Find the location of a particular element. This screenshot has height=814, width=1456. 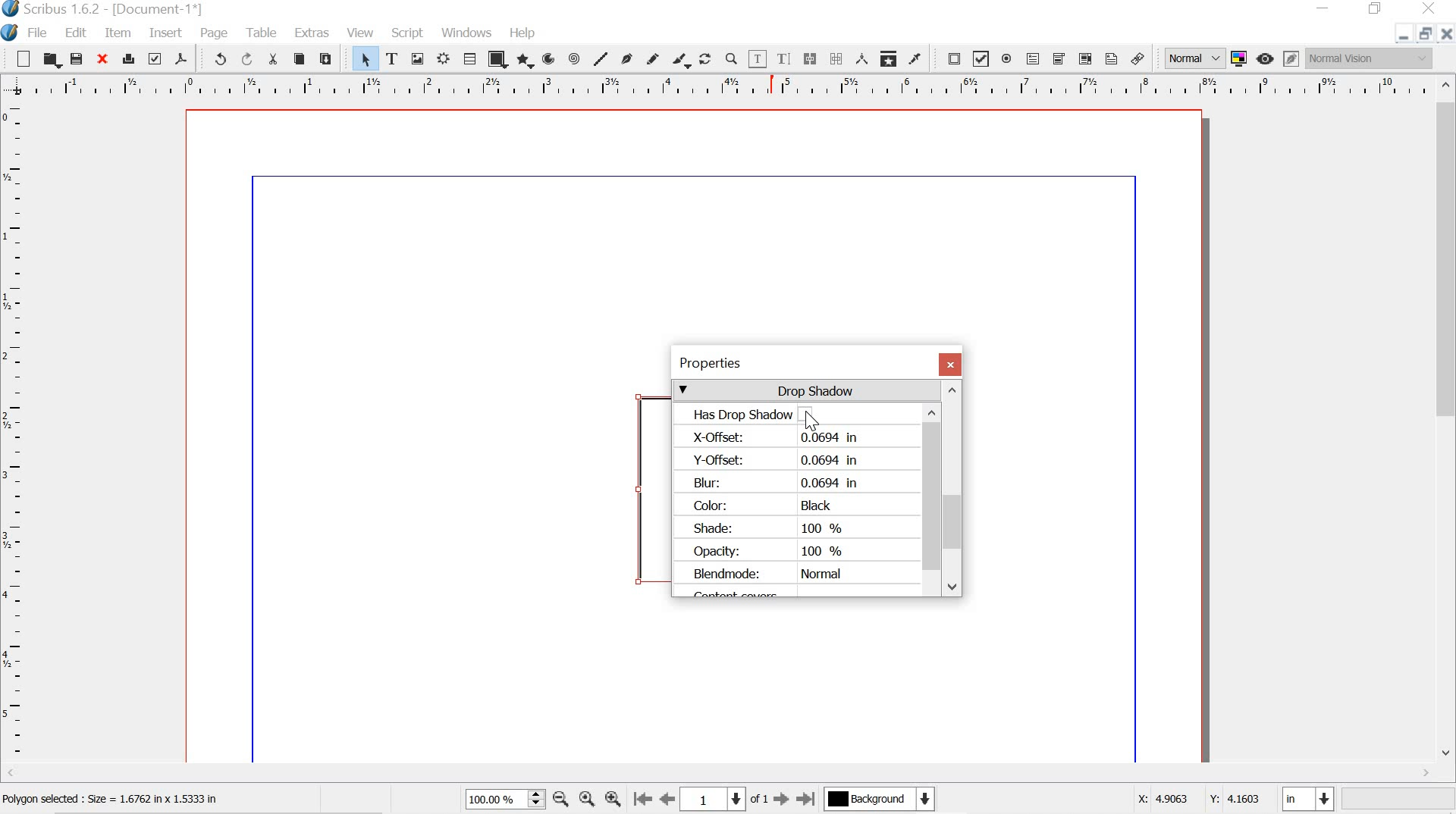

bezier curve is located at coordinates (626, 58).